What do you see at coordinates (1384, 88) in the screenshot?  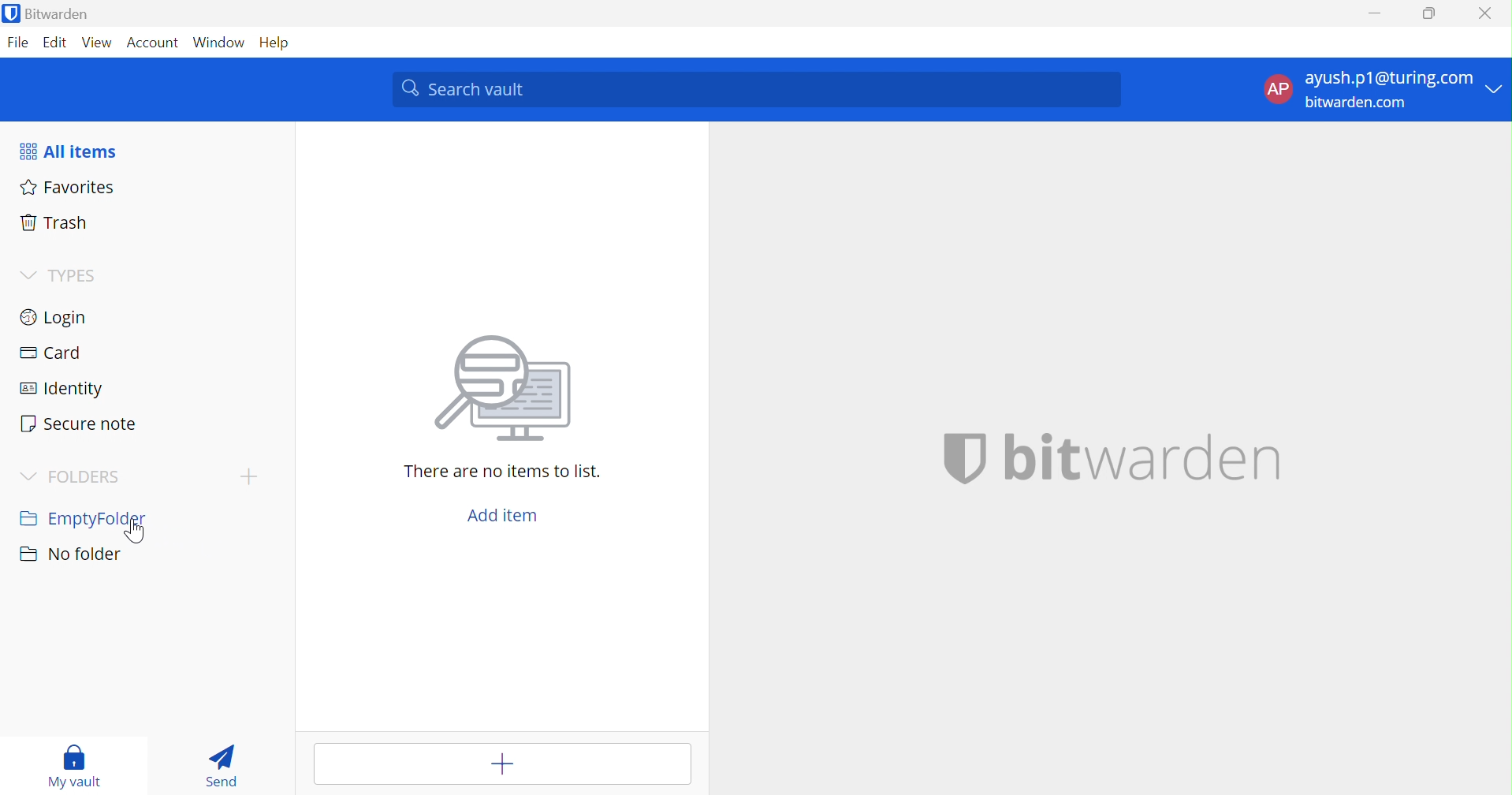 I see `Account options` at bounding box center [1384, 88].